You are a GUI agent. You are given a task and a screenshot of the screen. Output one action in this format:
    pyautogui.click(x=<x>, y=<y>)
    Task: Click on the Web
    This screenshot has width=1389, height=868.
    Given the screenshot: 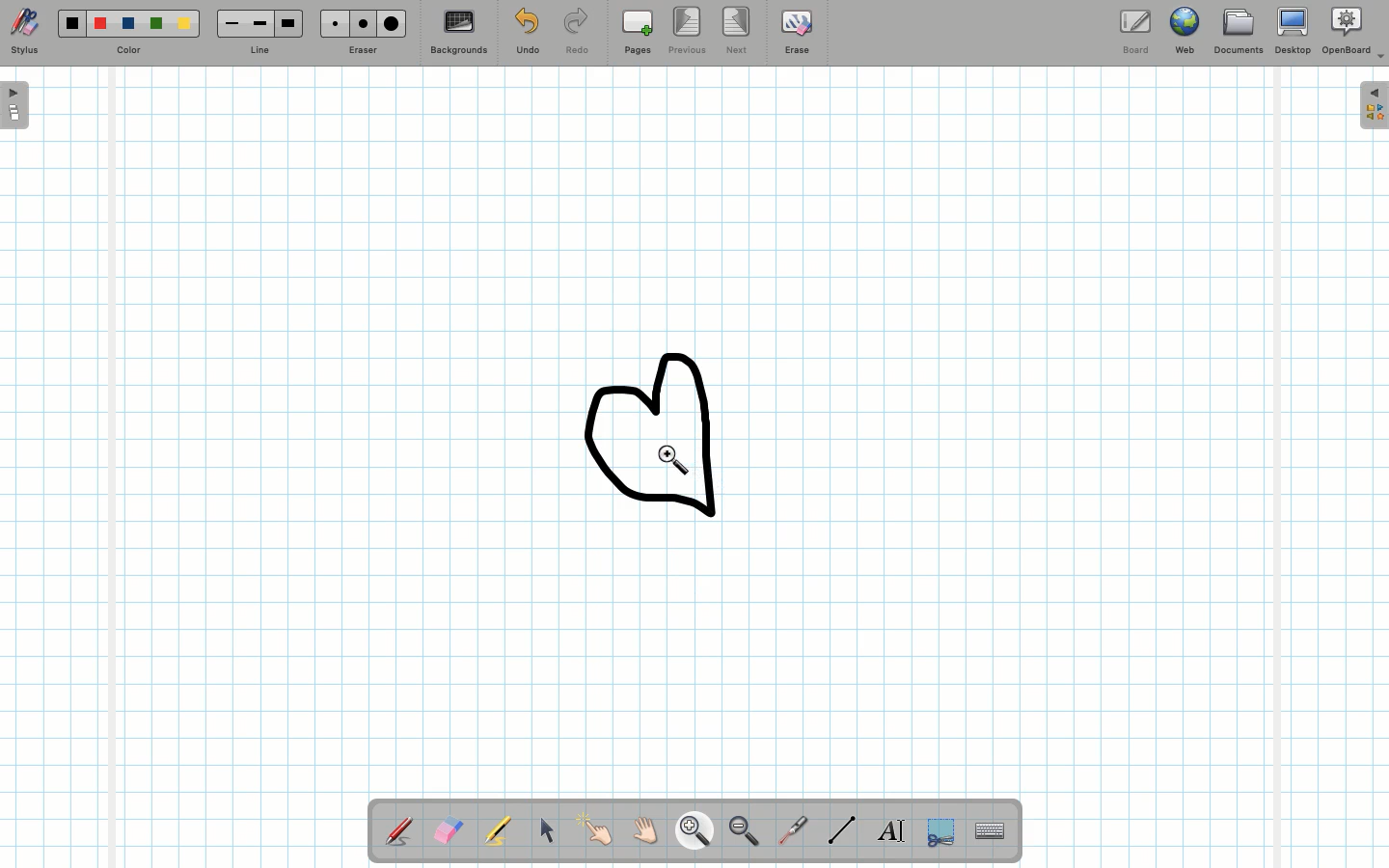 What is the action you would take?
    pyautogui.click(x=1187, y=30)
    